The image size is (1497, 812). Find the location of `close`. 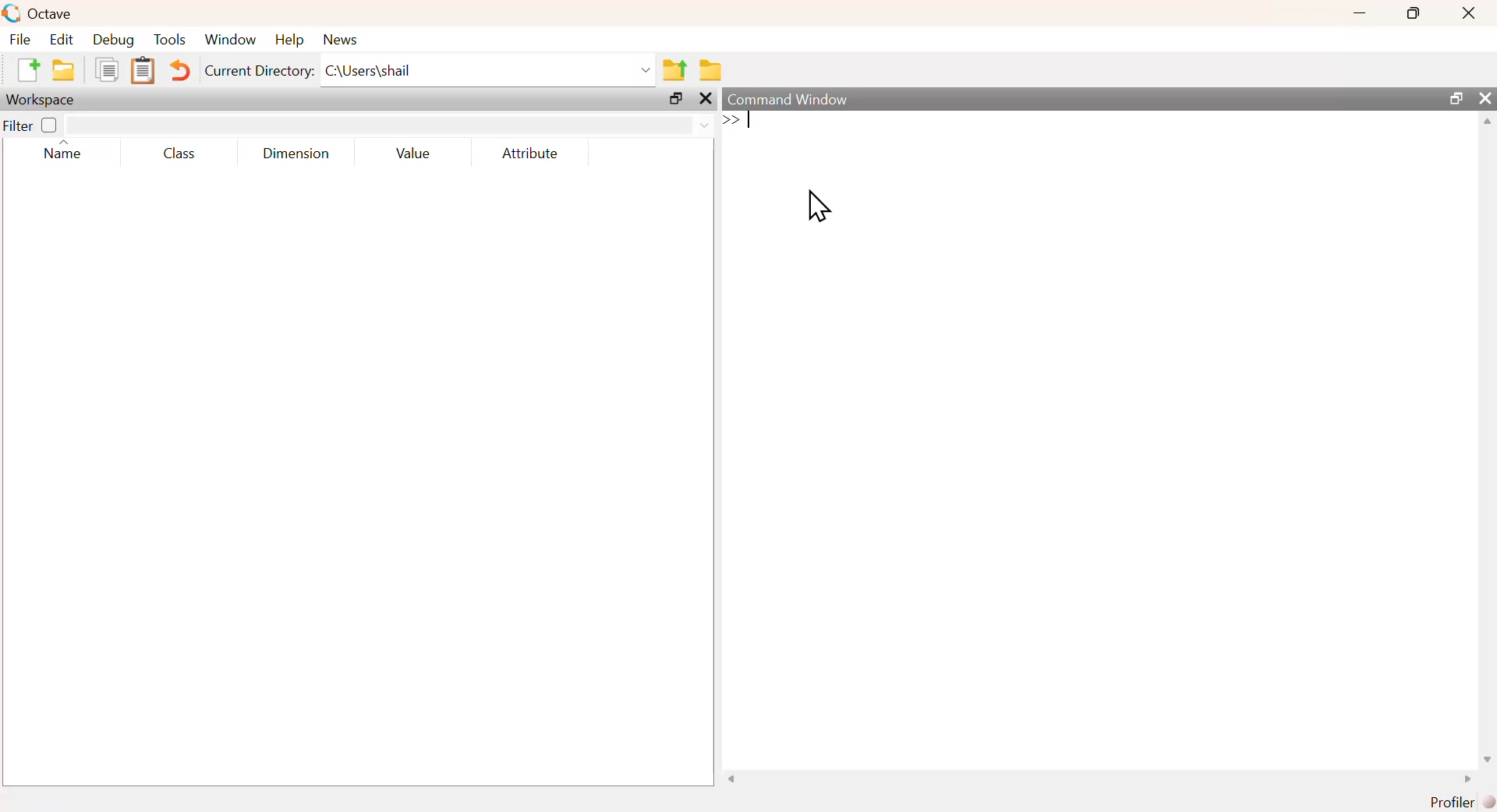

close is located at coordinates (705, 97).